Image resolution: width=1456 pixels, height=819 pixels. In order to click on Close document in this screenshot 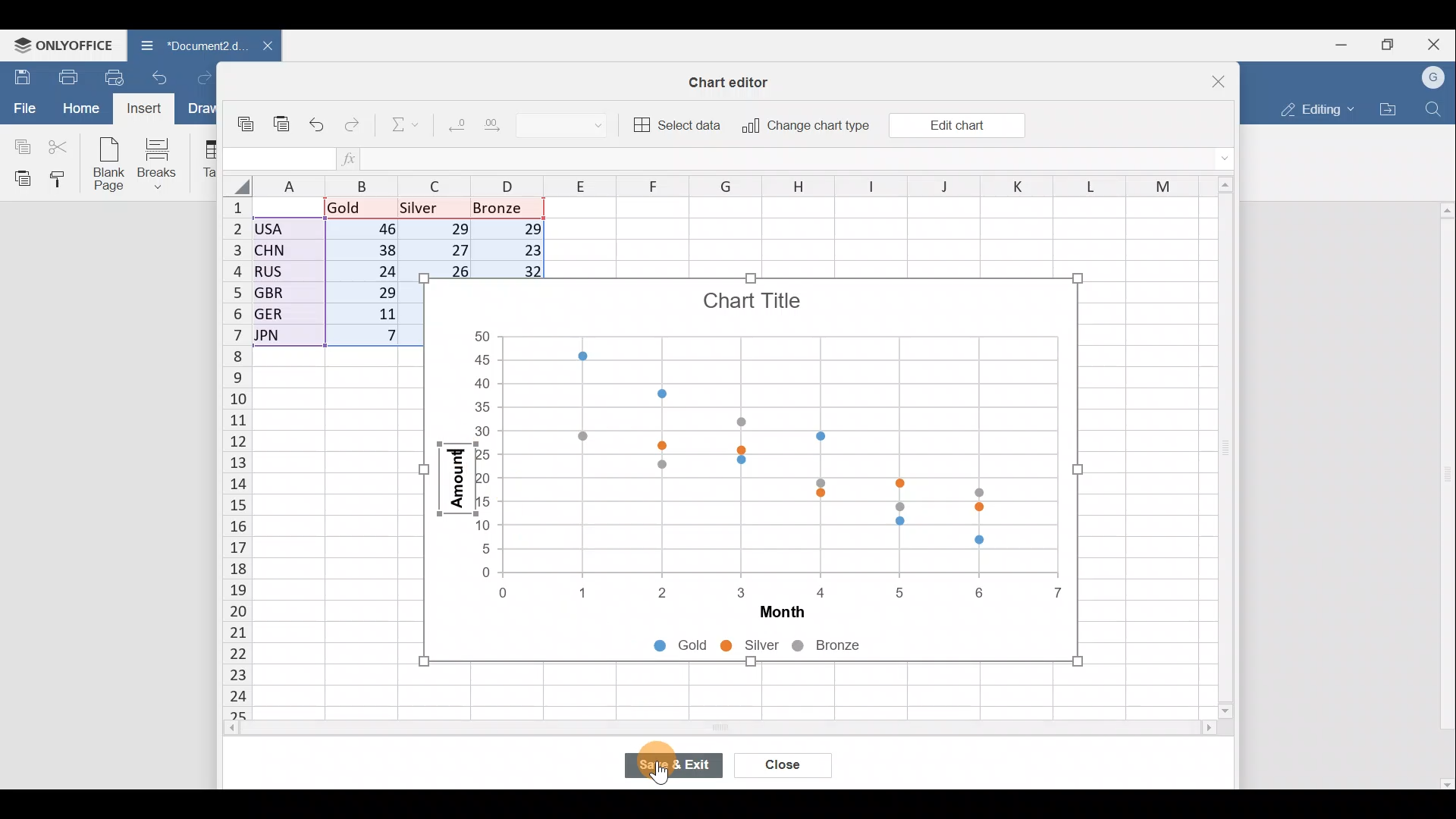, I will do `click(259, 47)`.